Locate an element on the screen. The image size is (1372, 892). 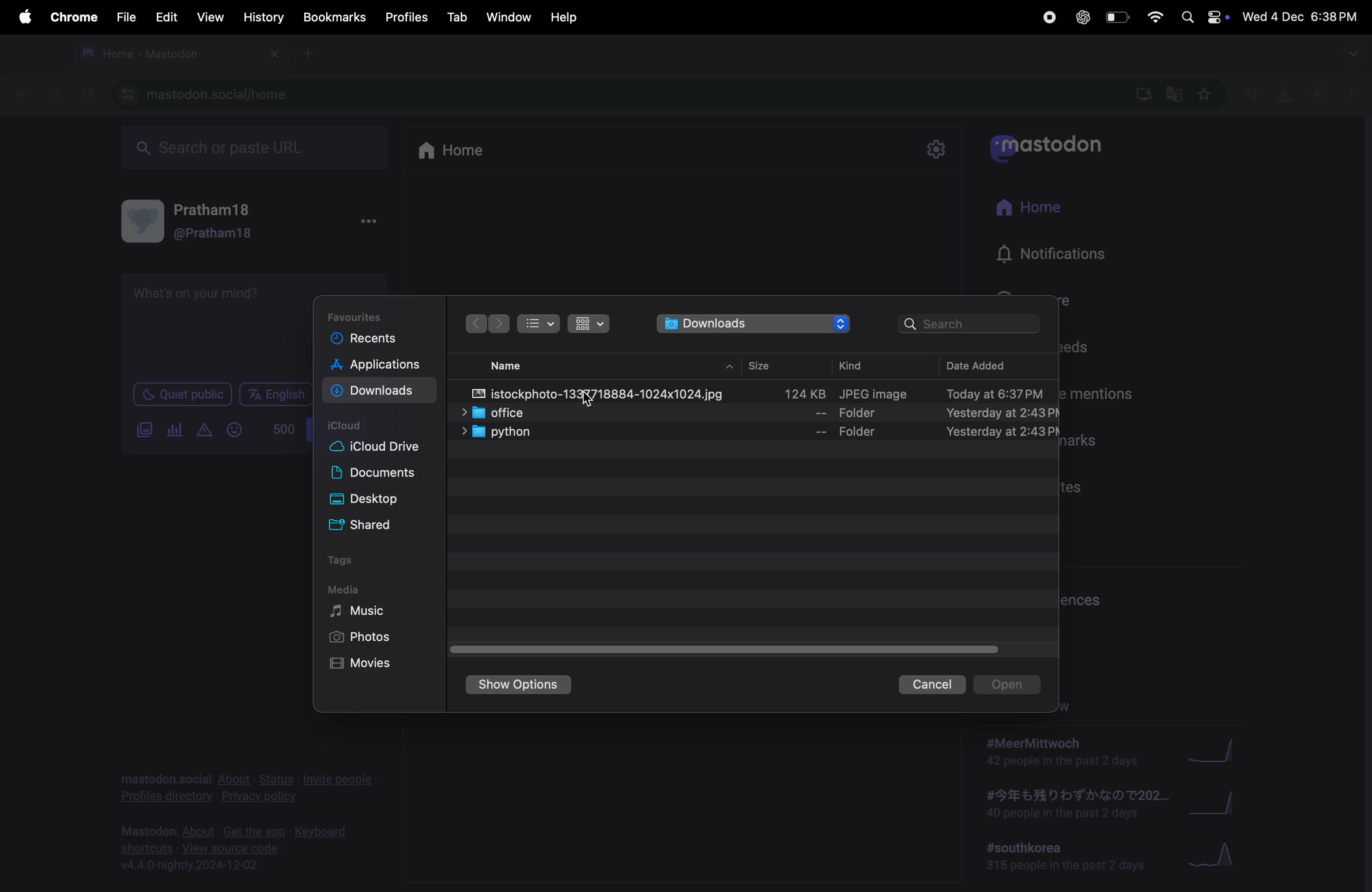
search is located at coordinates (972, 324).